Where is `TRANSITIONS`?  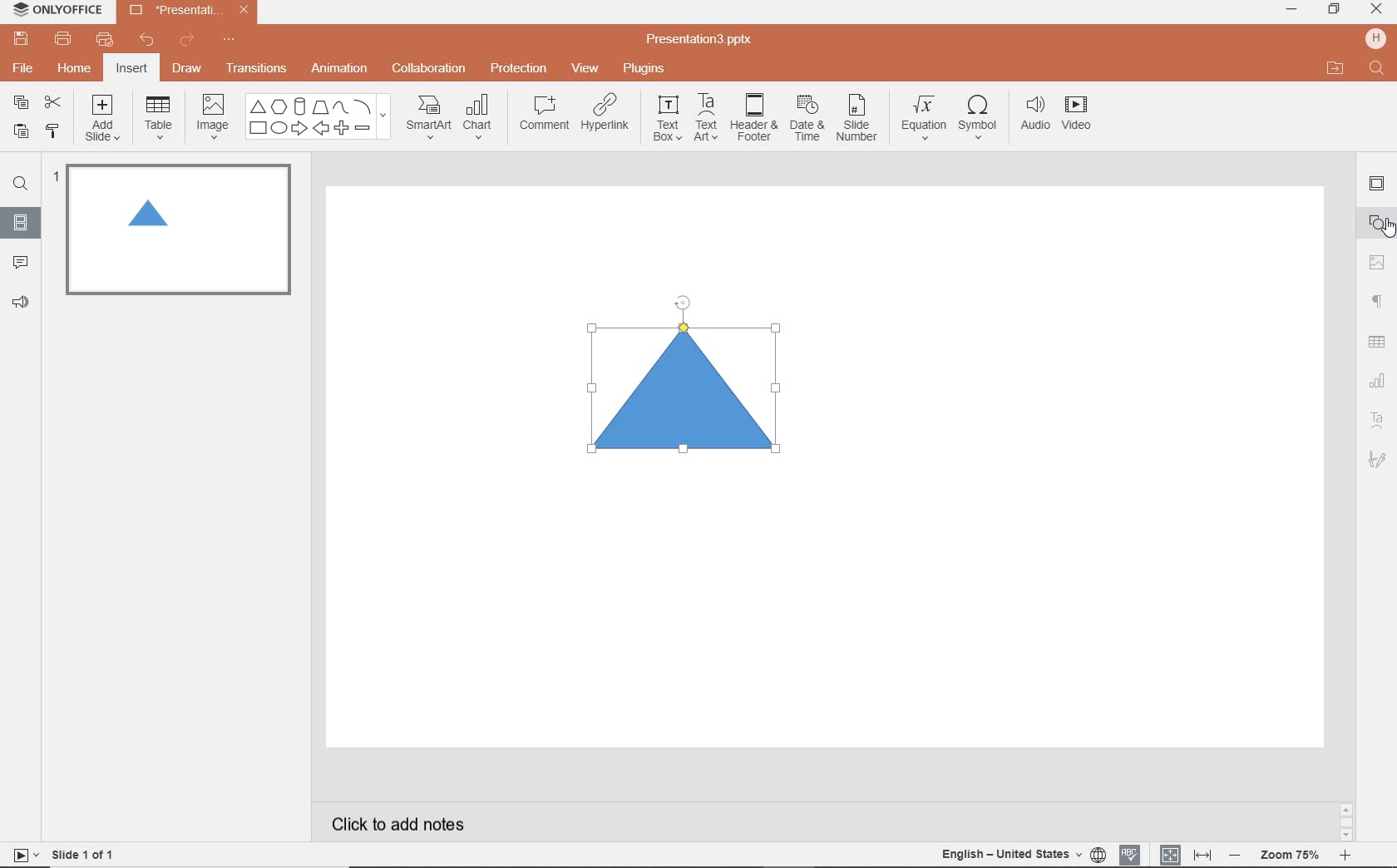
TRANSITIONS is located at coordinates (259, 68).